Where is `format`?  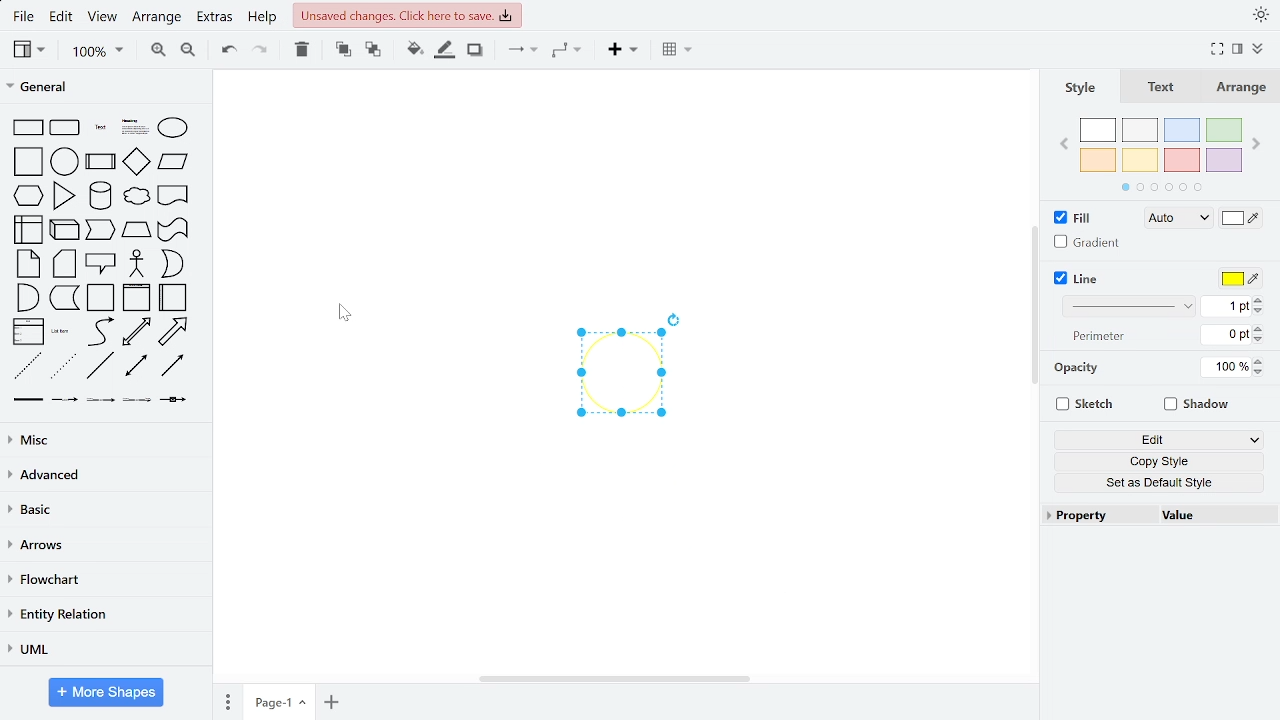 format is located at coordinates (1235, 48).